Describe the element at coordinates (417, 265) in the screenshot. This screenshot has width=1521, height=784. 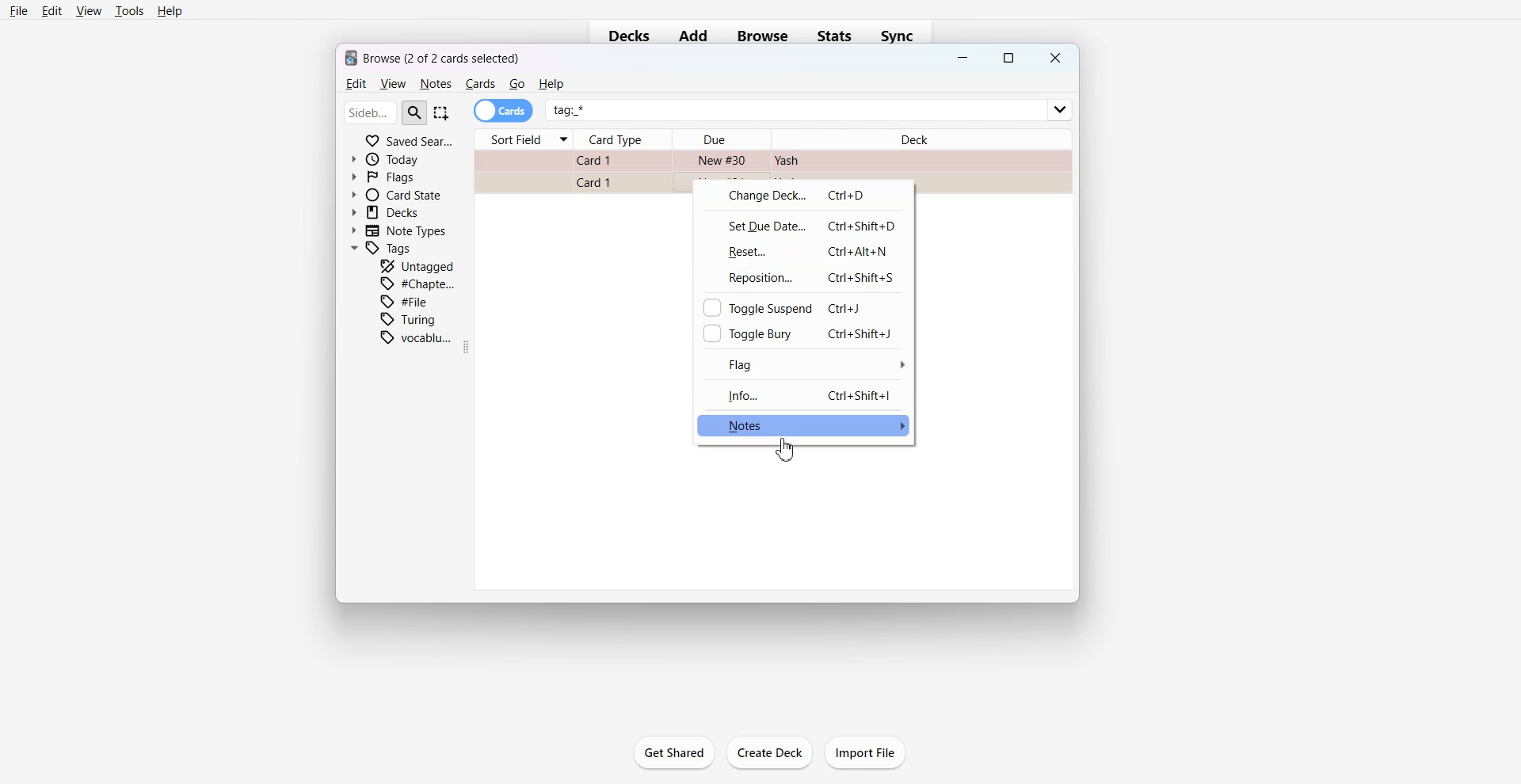
I see `Untagged` at that location.